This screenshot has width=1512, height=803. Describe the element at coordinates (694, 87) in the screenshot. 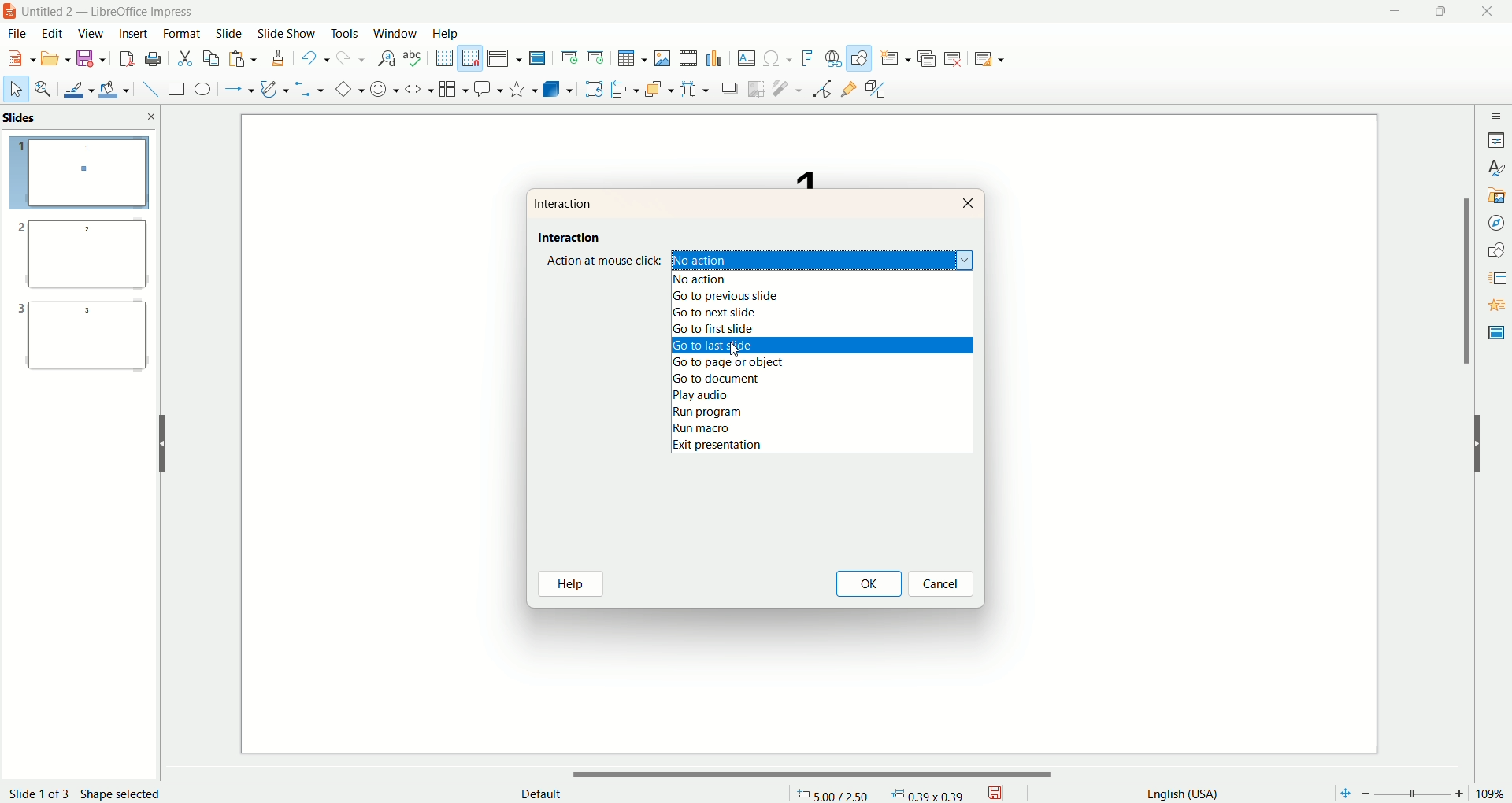

I see `select at least three objects to distribute` at that location.